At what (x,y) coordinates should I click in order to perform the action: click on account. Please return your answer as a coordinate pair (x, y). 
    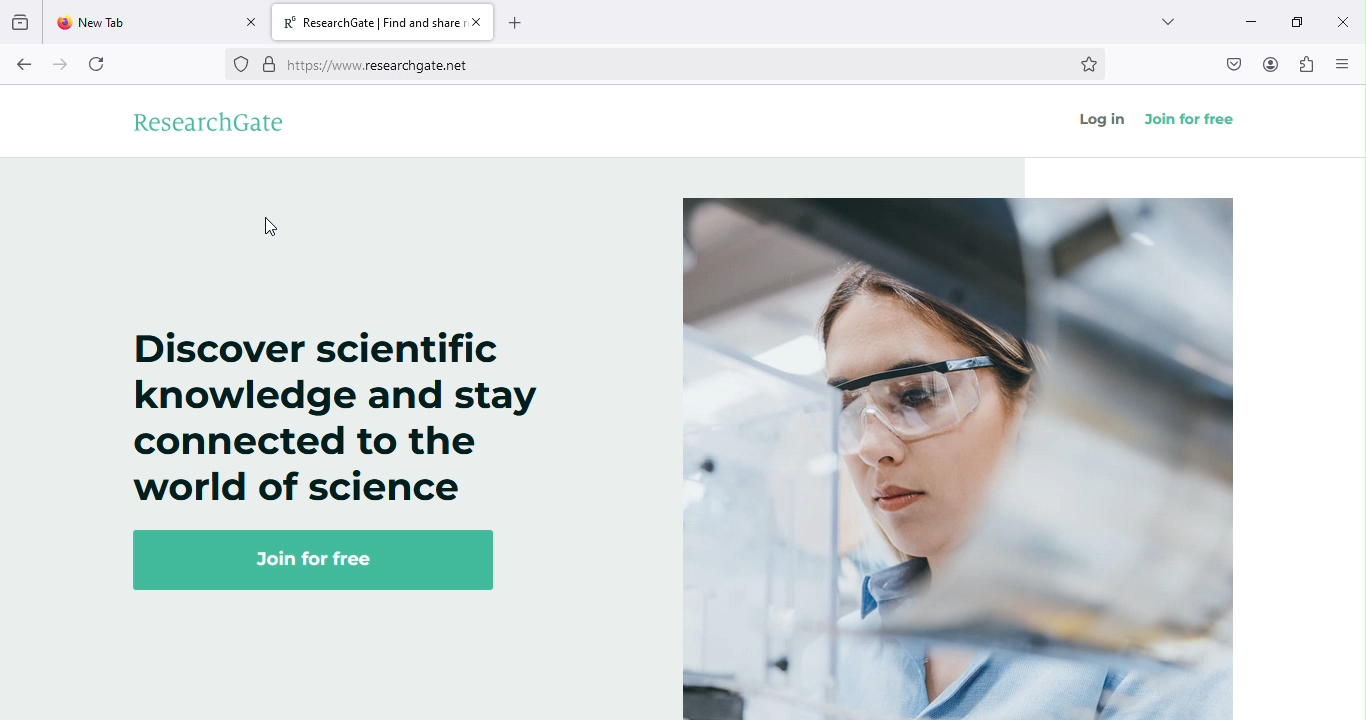
    Looking at the image, I should click on (1274, 65).